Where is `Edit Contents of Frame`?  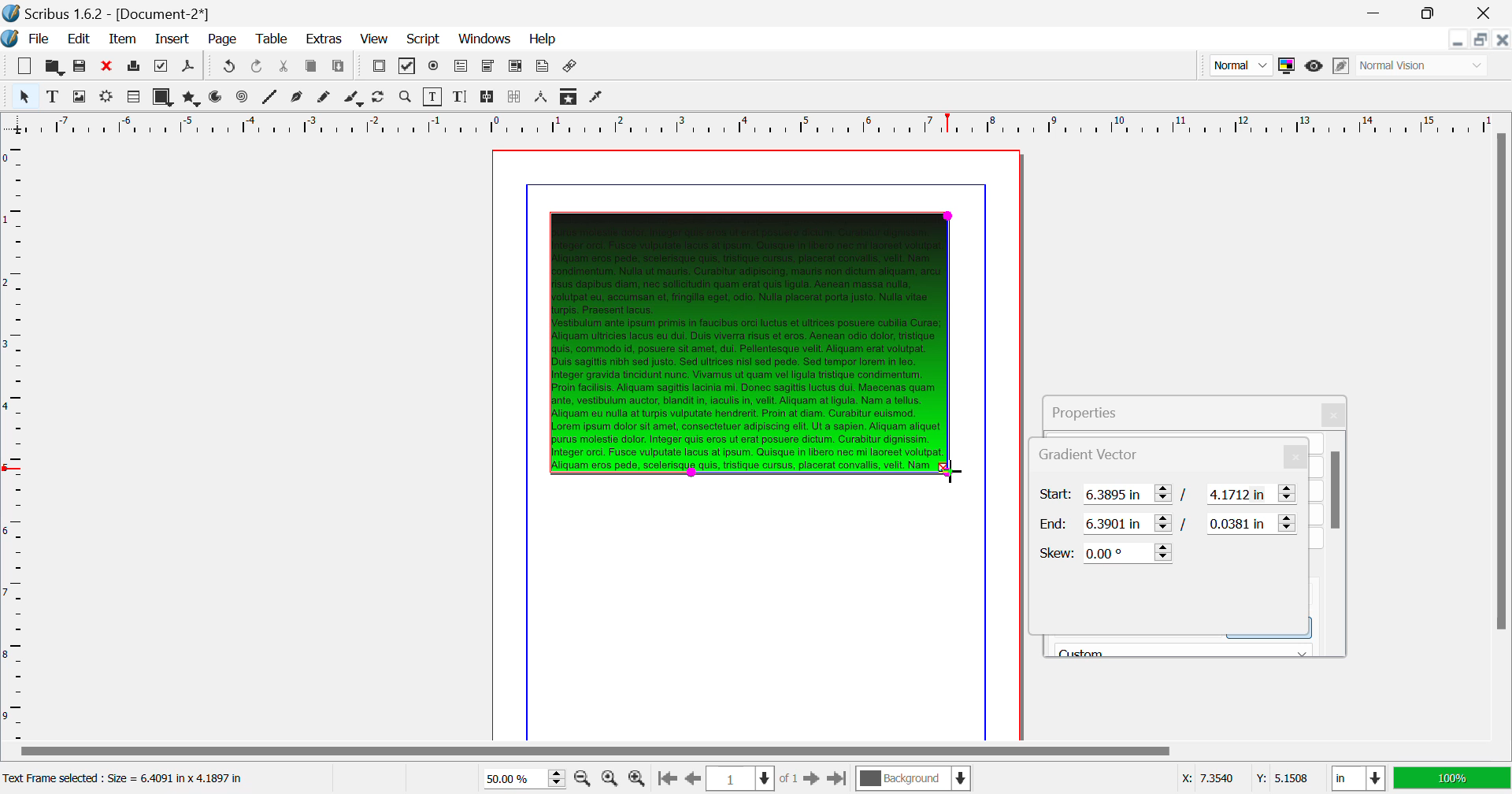 Edit Contents of Frame is located at coordinates (434, 97).